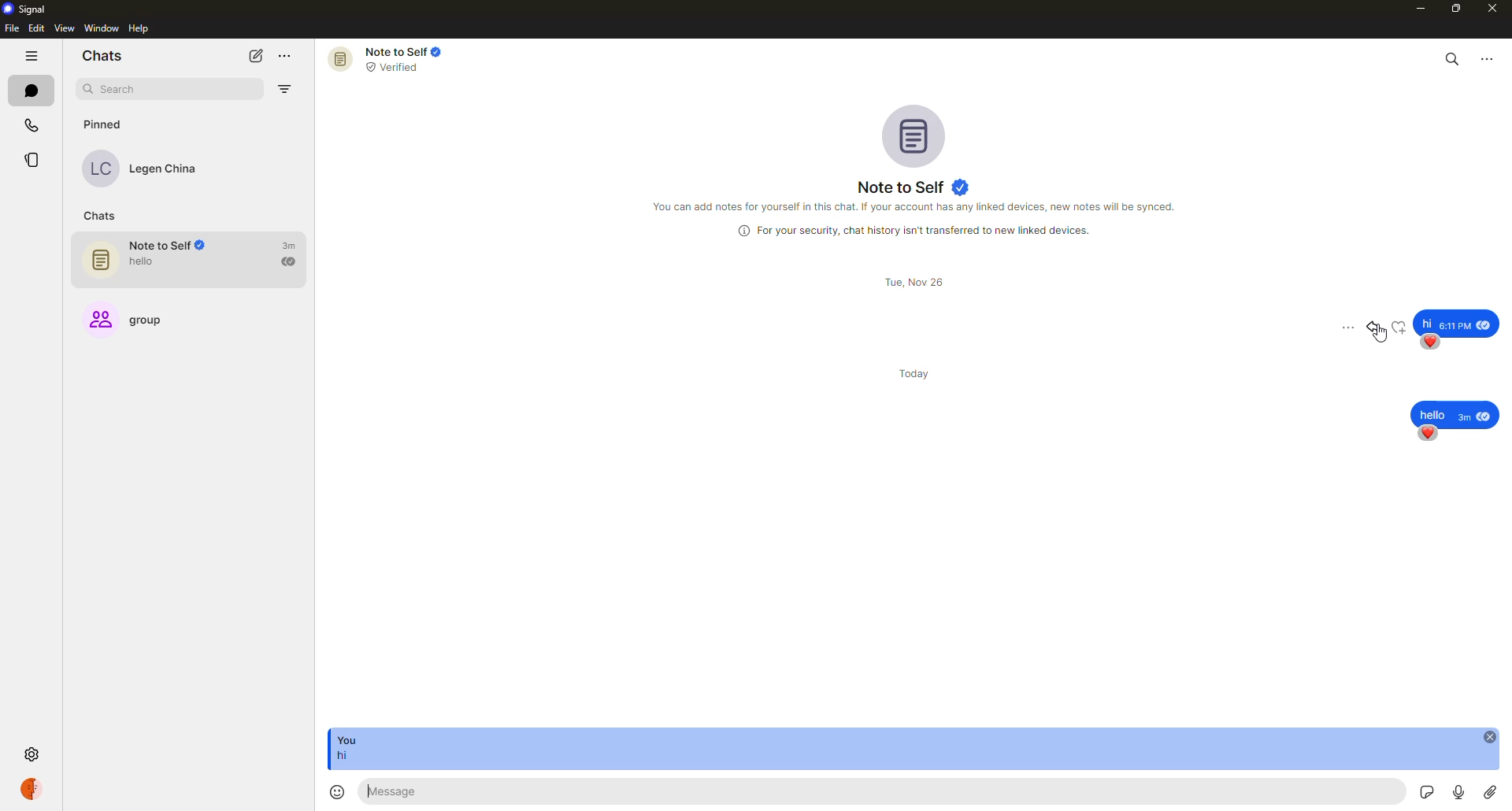 Image resolution: width=1512 pixels, height=811 pixels. I want to click on close, so click(1494, 8).